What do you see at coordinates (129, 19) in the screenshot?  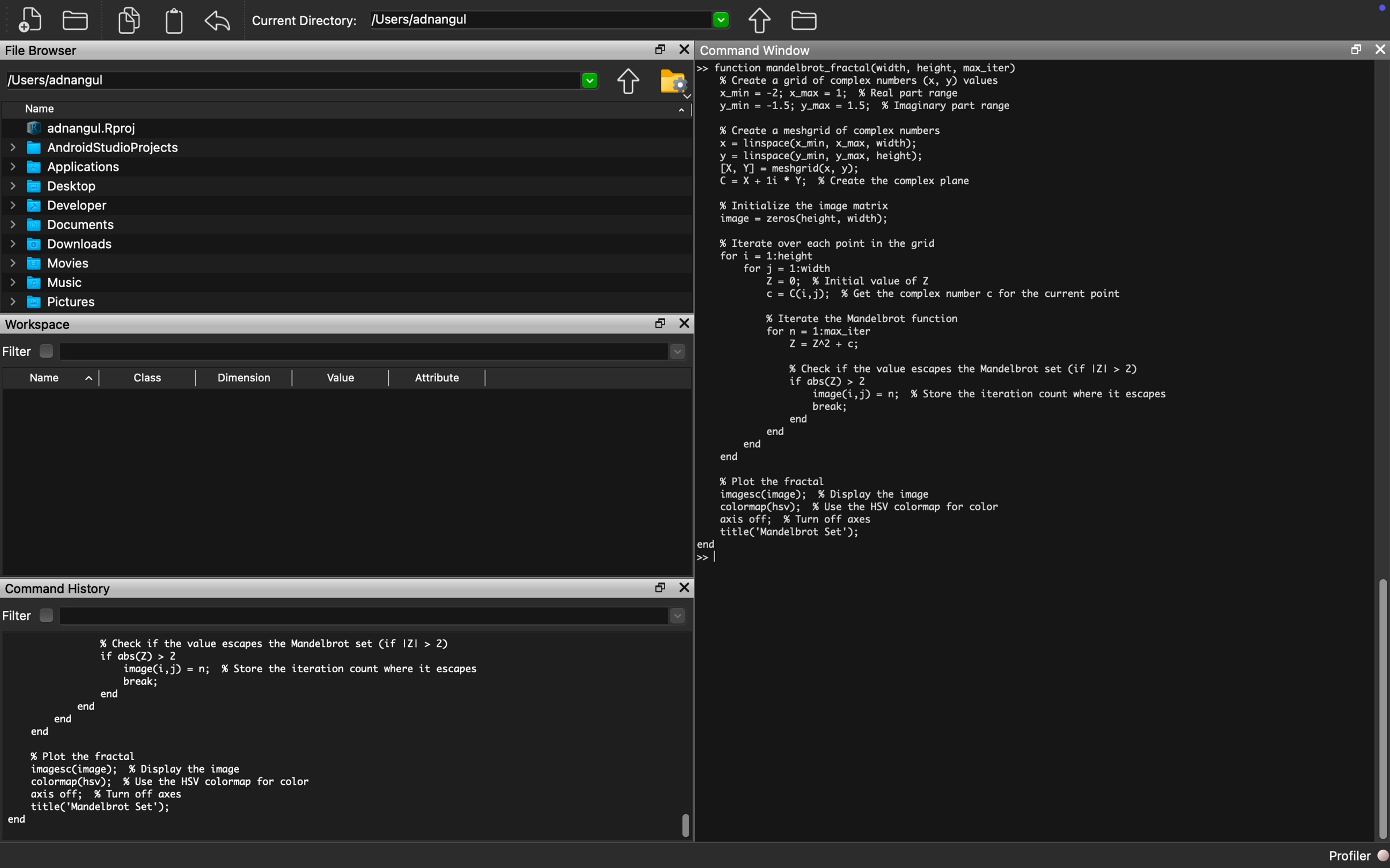 I see `Copy` at bounding box center [129, 19].